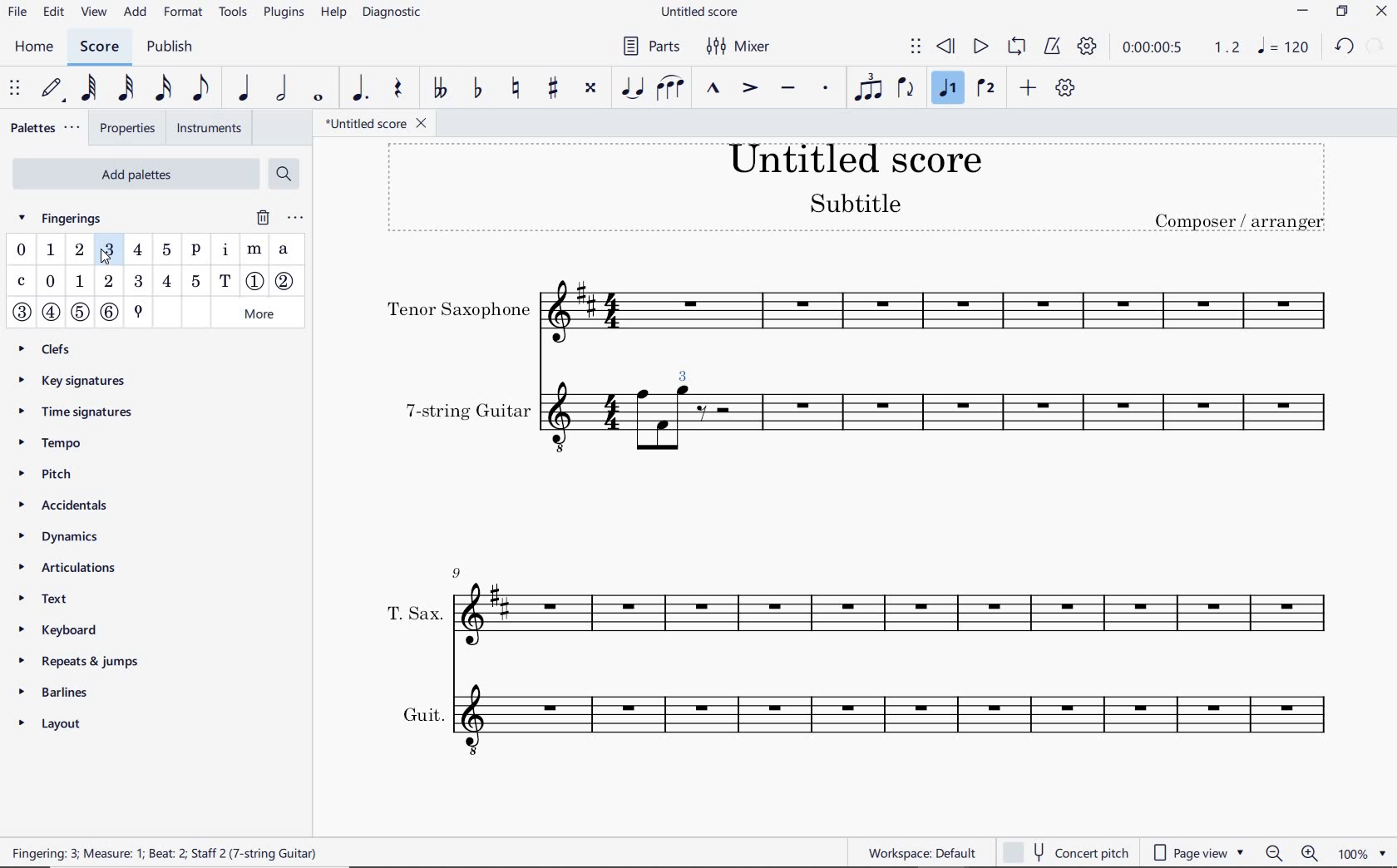 The width and height of the screenshot is (1397, 868). Describe the element at coordinates (1303, 13) in the screenshot. I see `MINIMIZE` at that location.